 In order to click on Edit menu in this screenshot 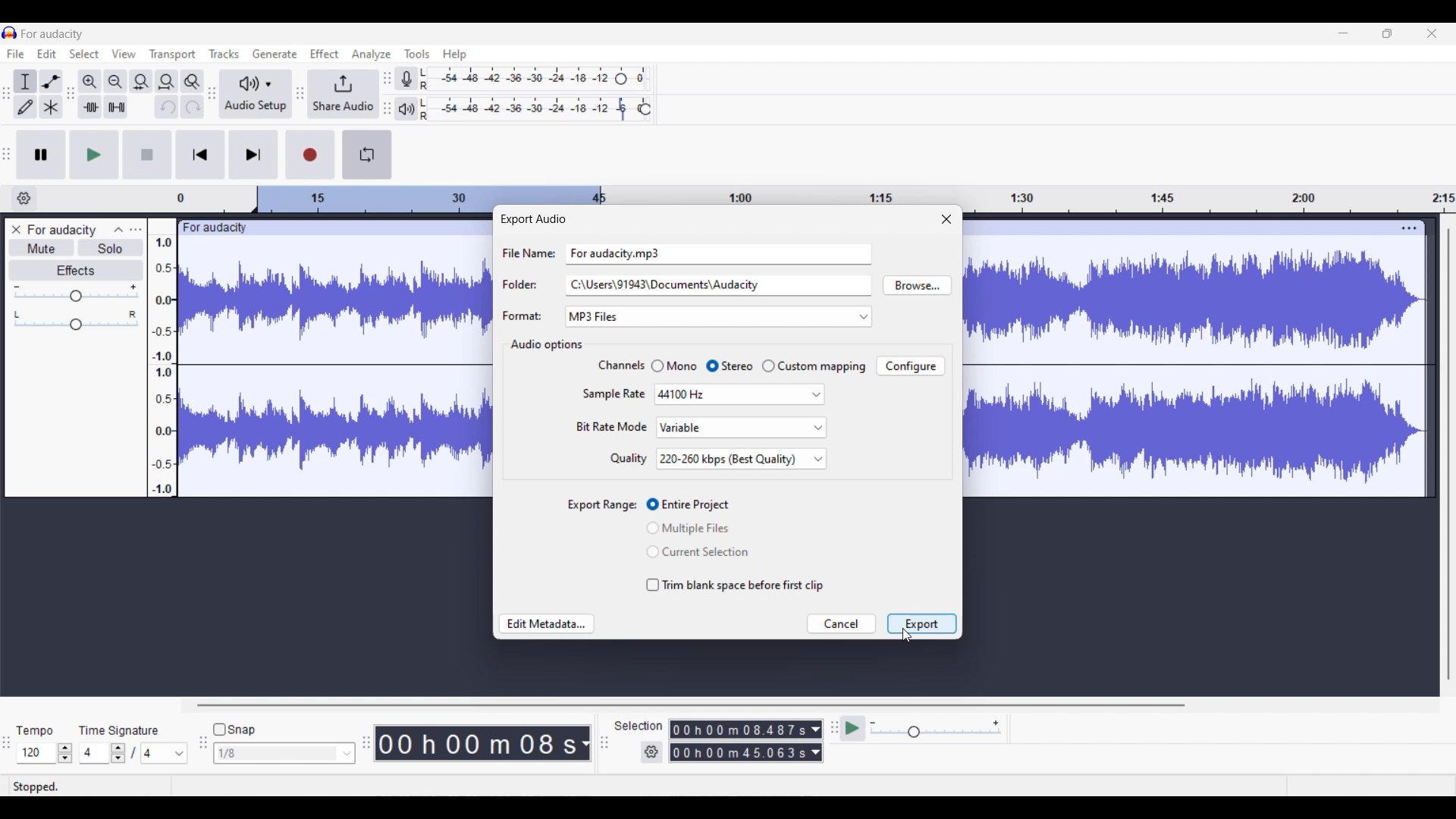, I will do `click(46, 54)`.